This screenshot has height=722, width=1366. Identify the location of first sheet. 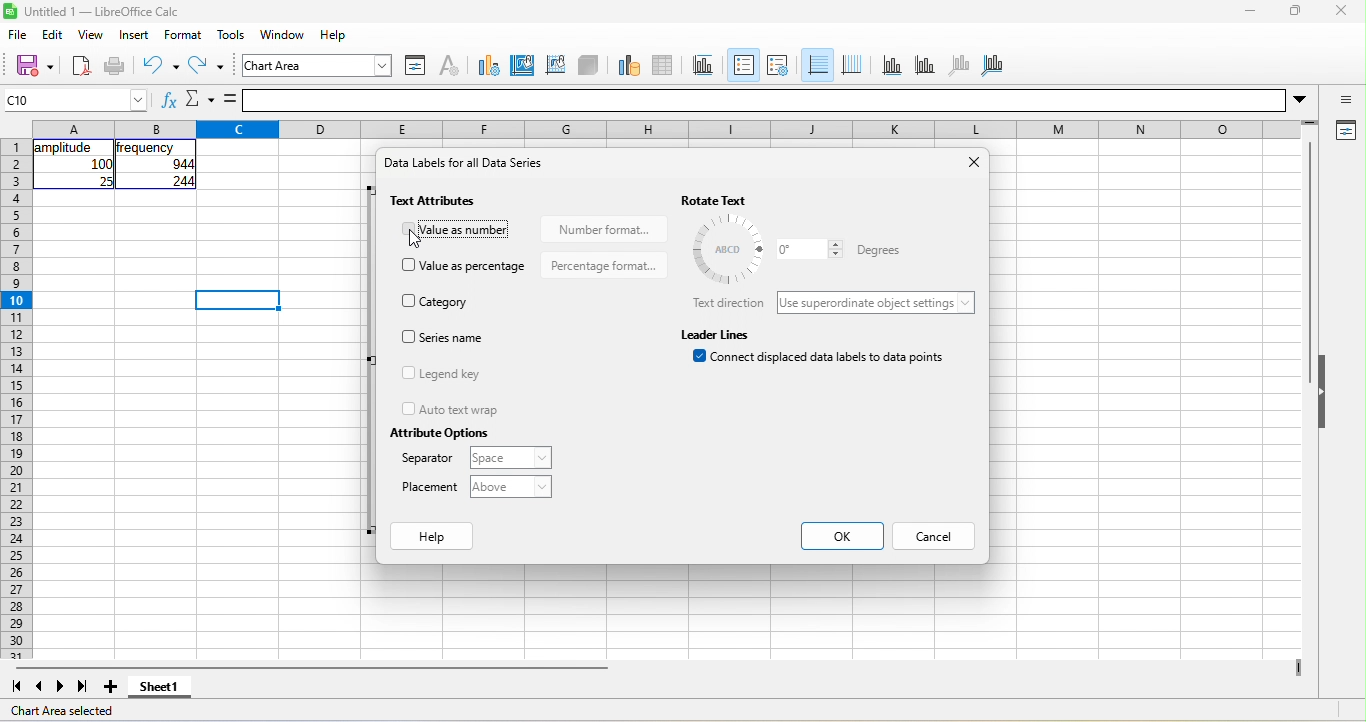
(14, 685).